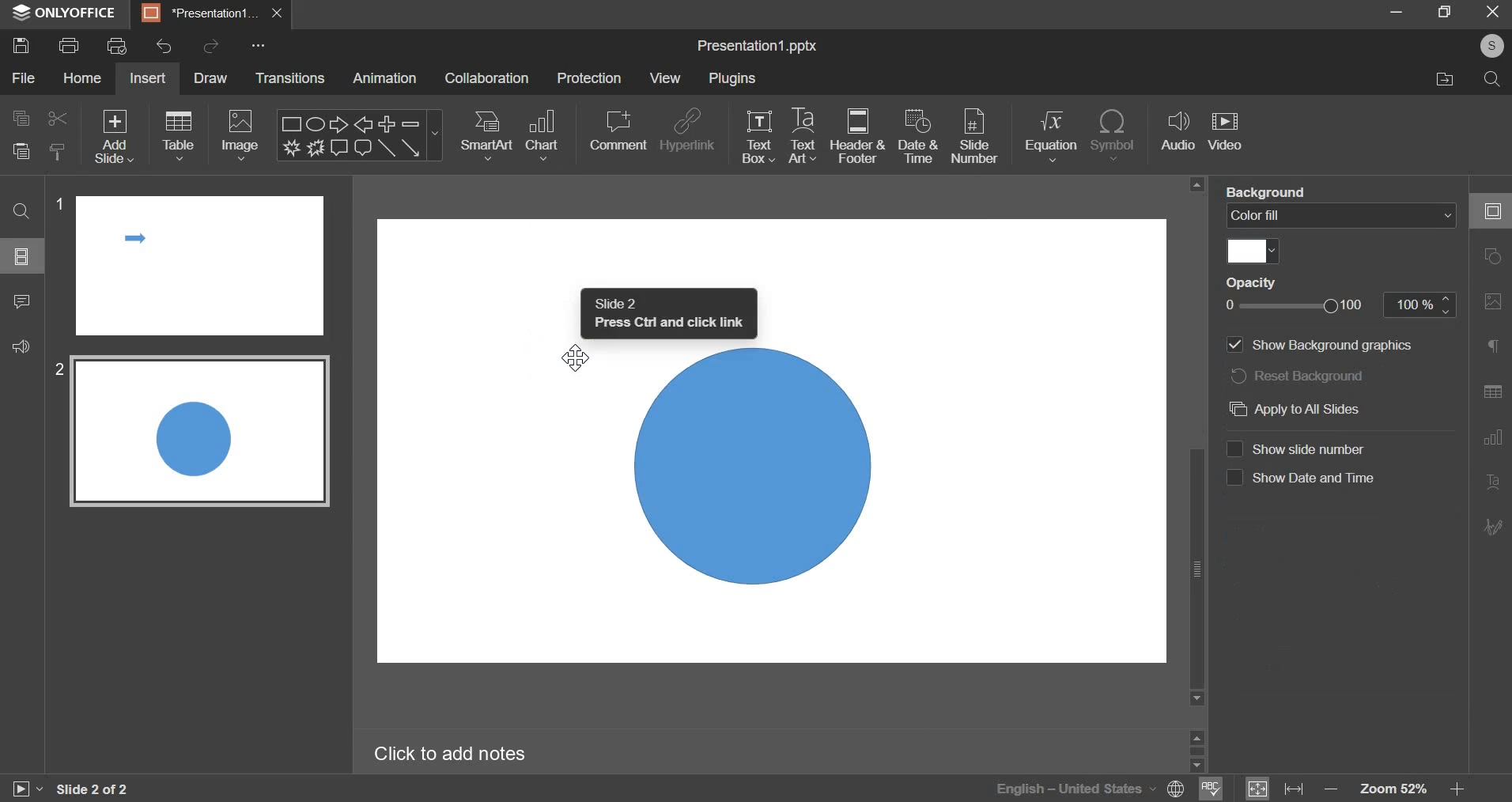  Describe the element at coordinates (411, 147) in the screenshot. I see `Arrow` at that location.